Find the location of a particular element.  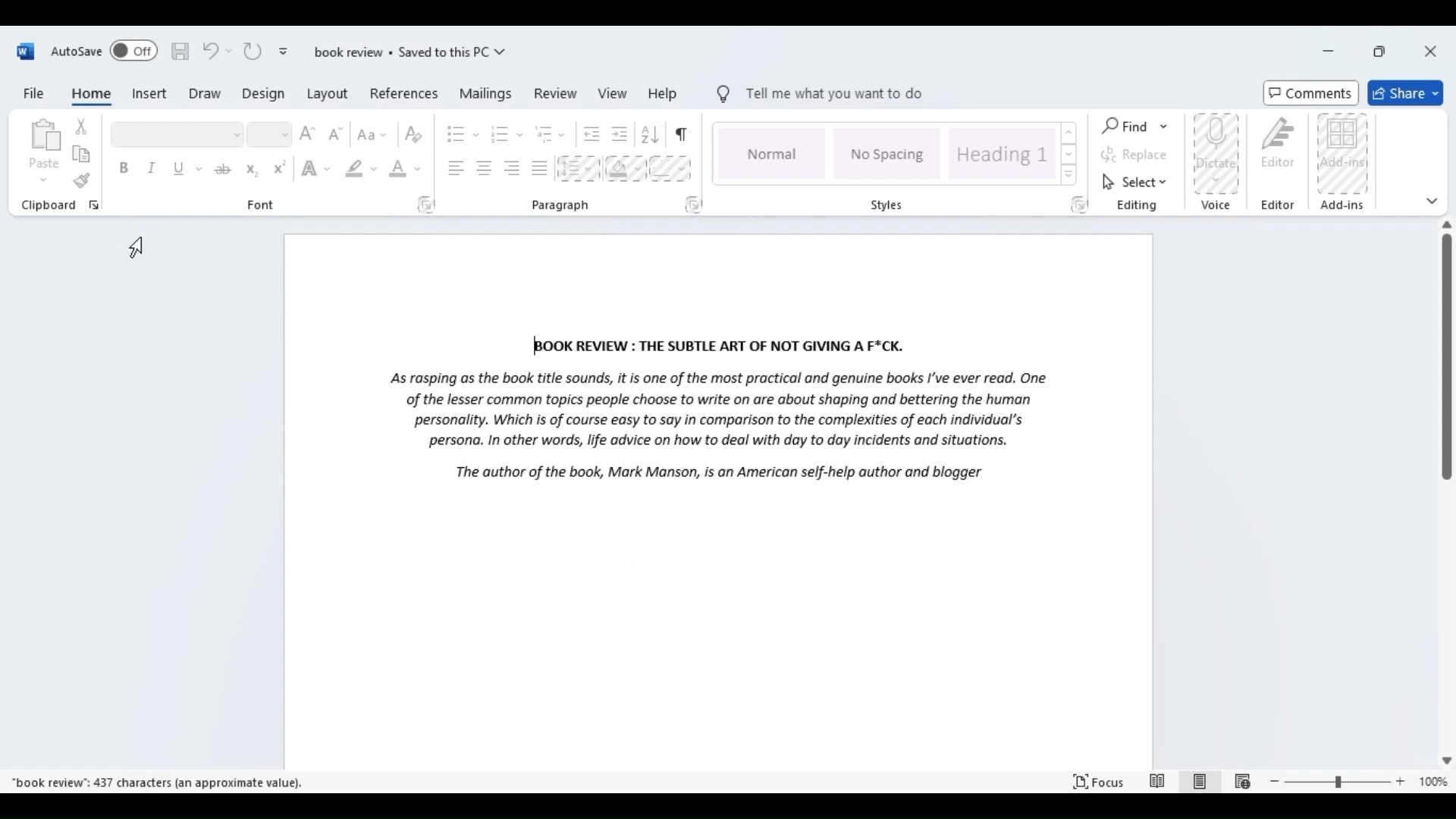

scrollbar is located at coordinates (1445, 352).